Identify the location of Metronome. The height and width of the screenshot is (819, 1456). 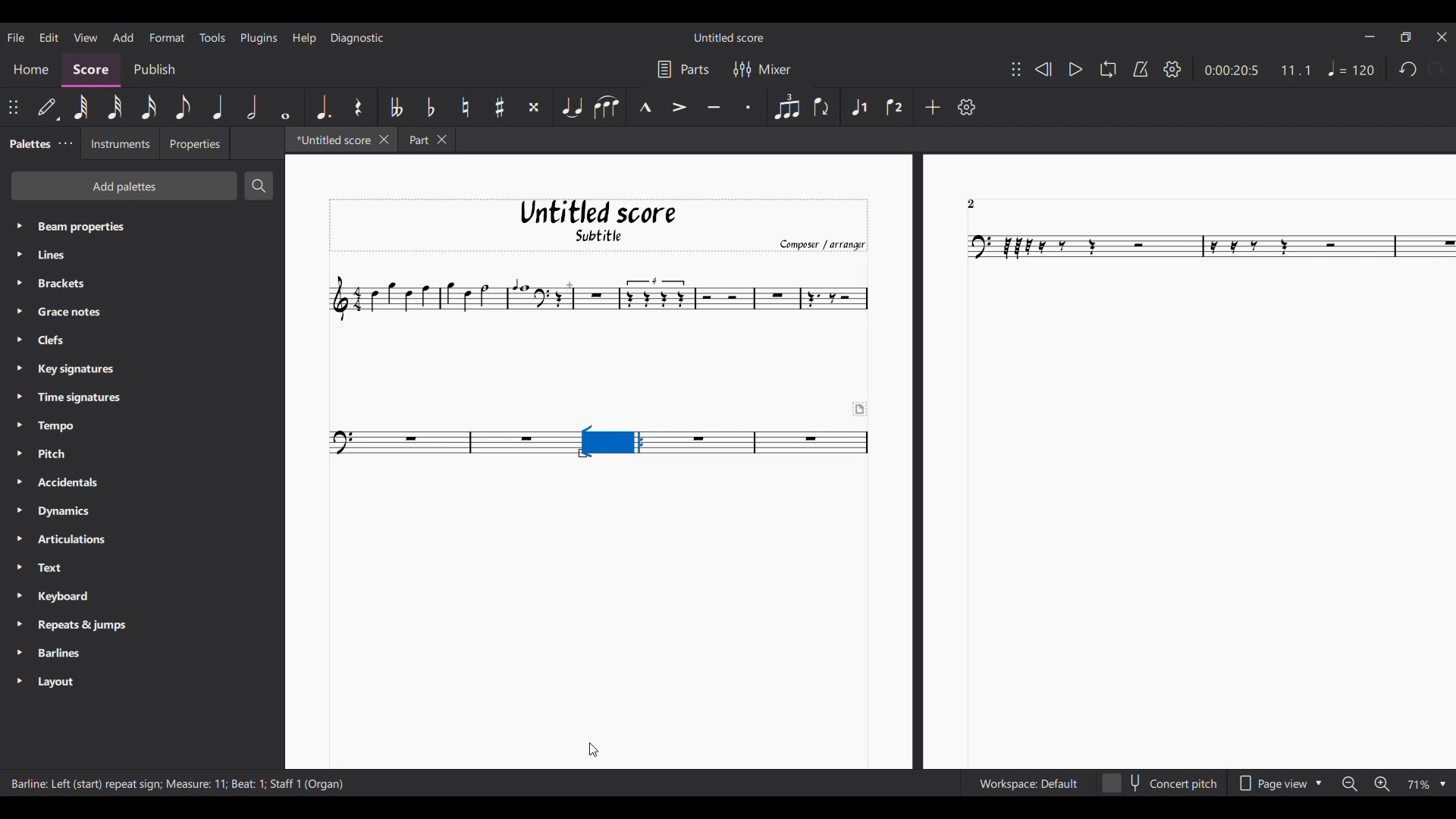
(1141, 69).